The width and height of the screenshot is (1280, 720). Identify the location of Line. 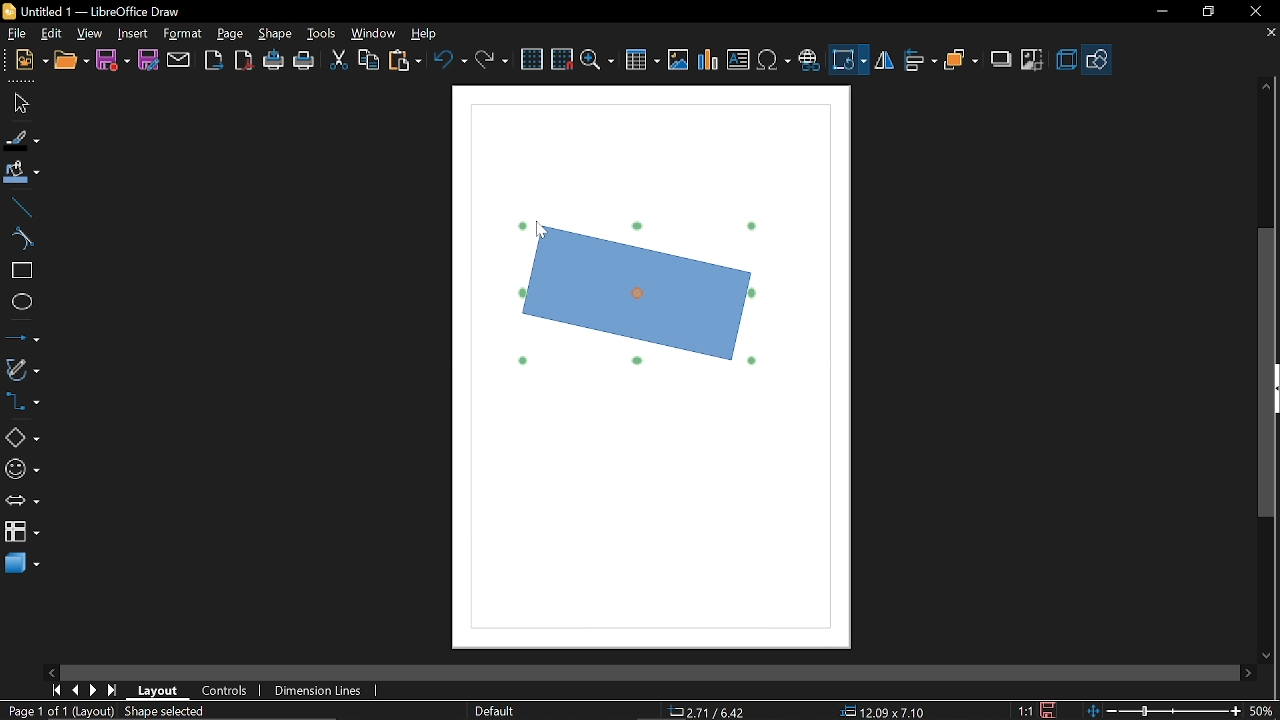
(20, 207).